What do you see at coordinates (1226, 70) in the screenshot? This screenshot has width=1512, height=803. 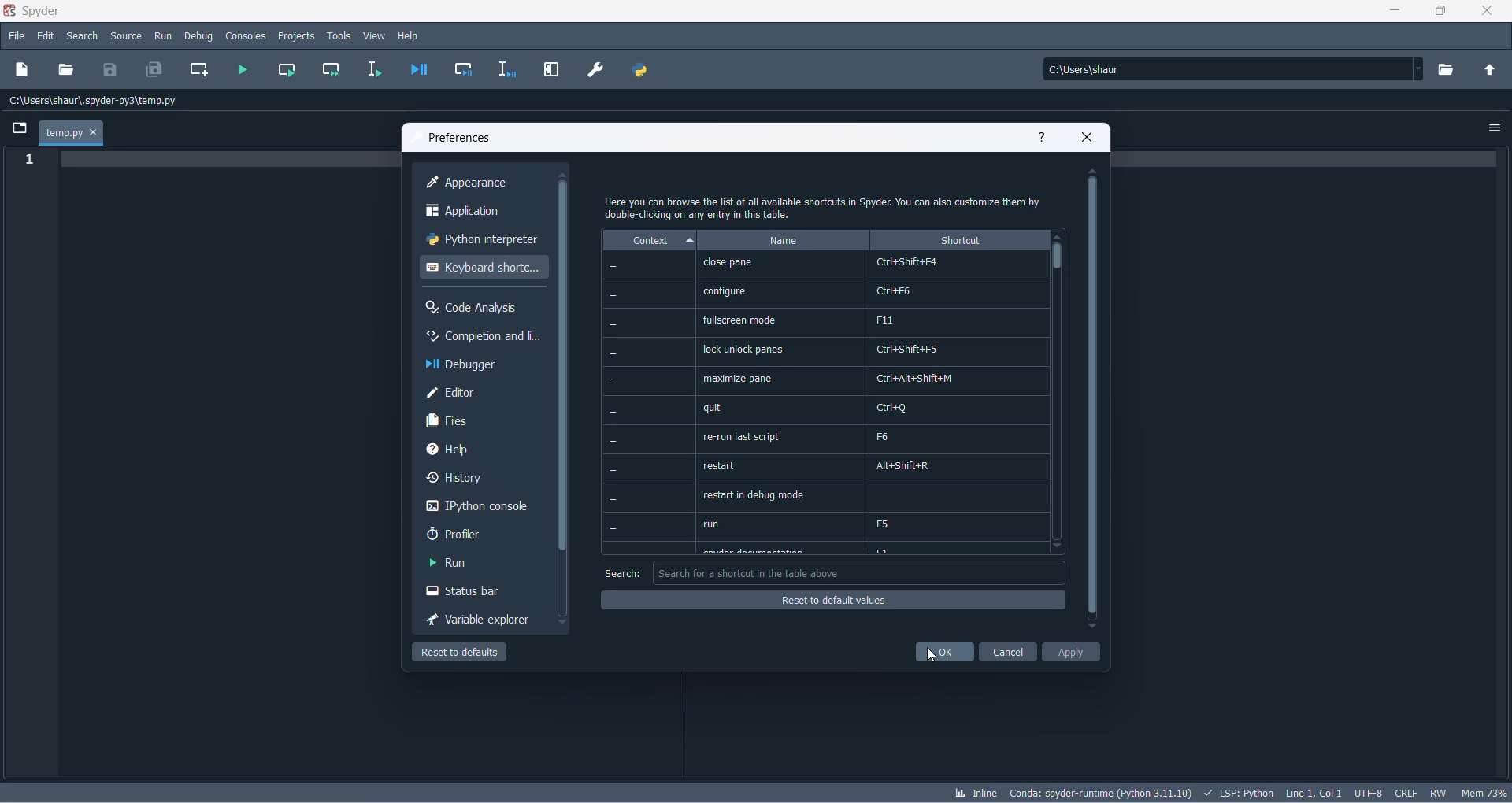 I see `path` at bounding box center [1226, 70].